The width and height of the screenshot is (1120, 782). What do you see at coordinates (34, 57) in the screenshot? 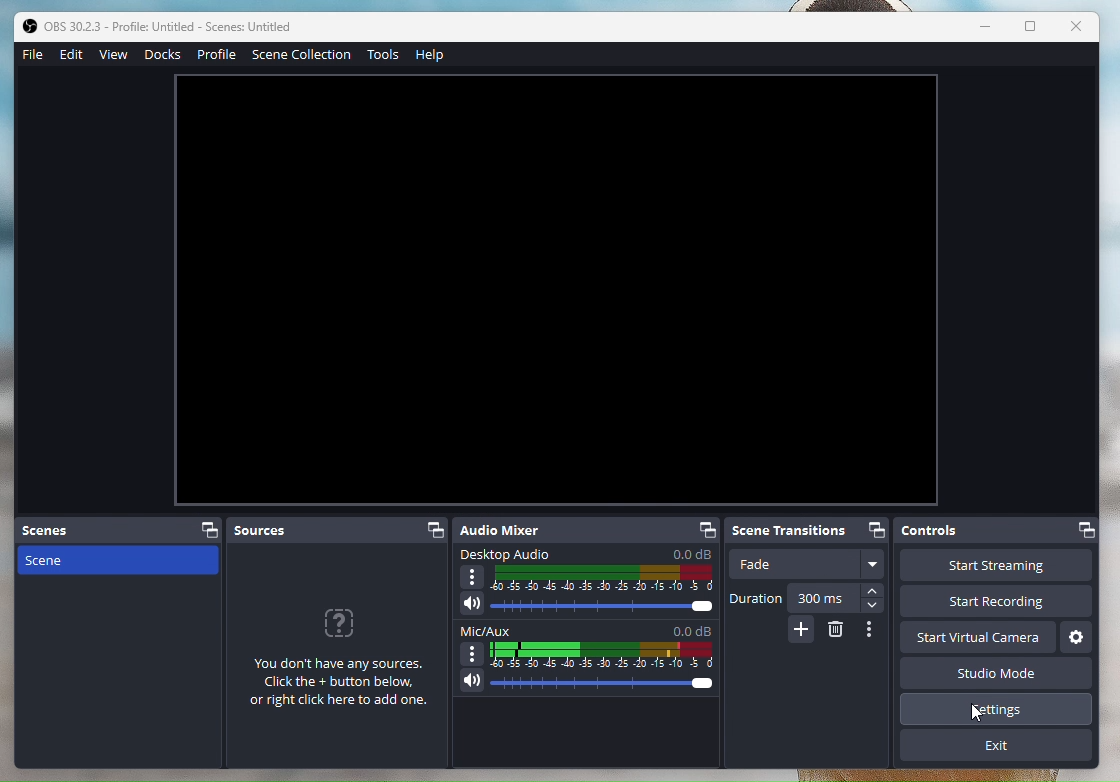
I see `File` at bounding box center [34, 57].